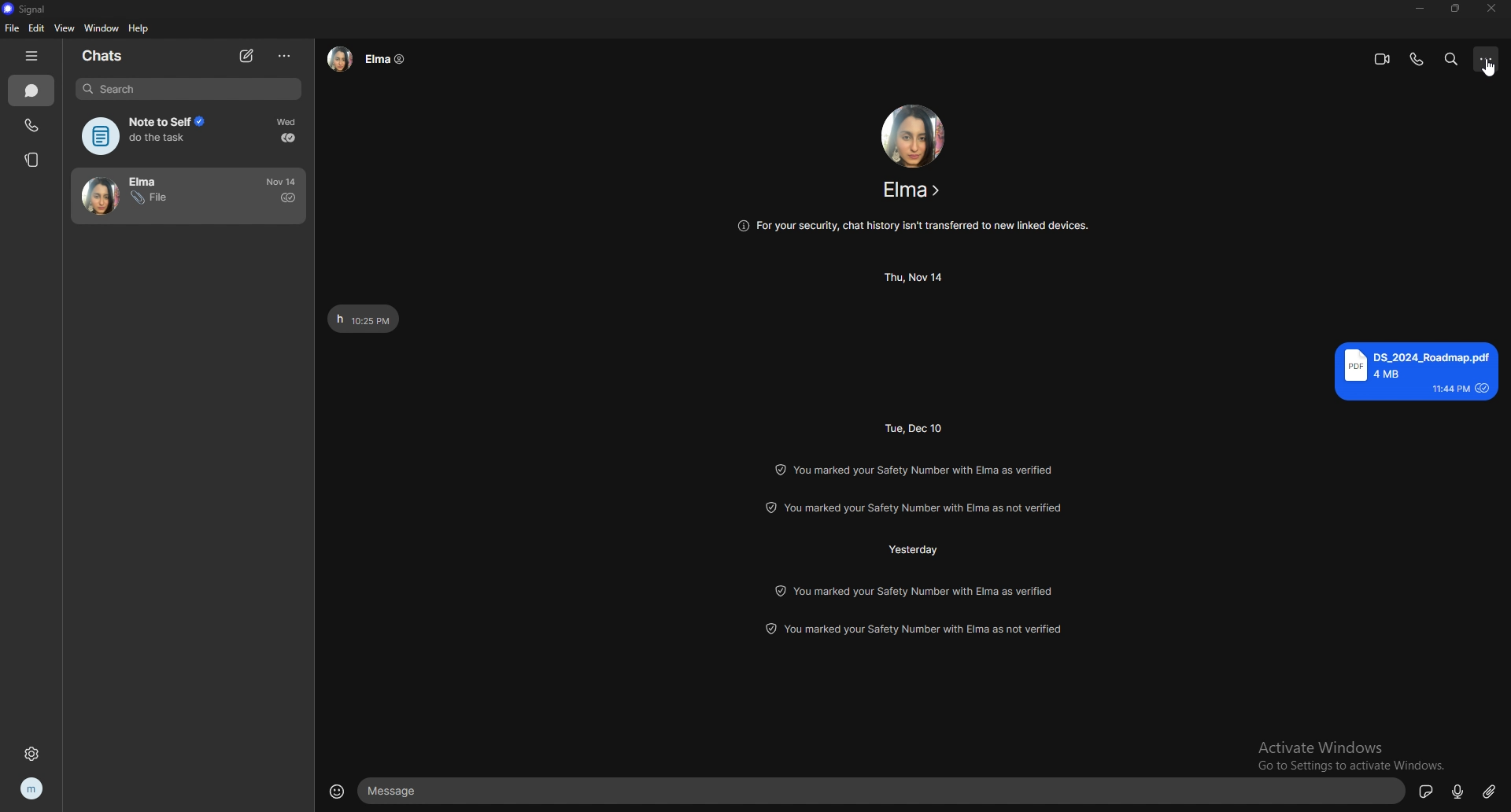 Image resolution: width=1511 pixels, height=812 pixels. What do you see at coordinates (33, 160) in the screenshot?
I see `stories` at bounding box center [33, 160].